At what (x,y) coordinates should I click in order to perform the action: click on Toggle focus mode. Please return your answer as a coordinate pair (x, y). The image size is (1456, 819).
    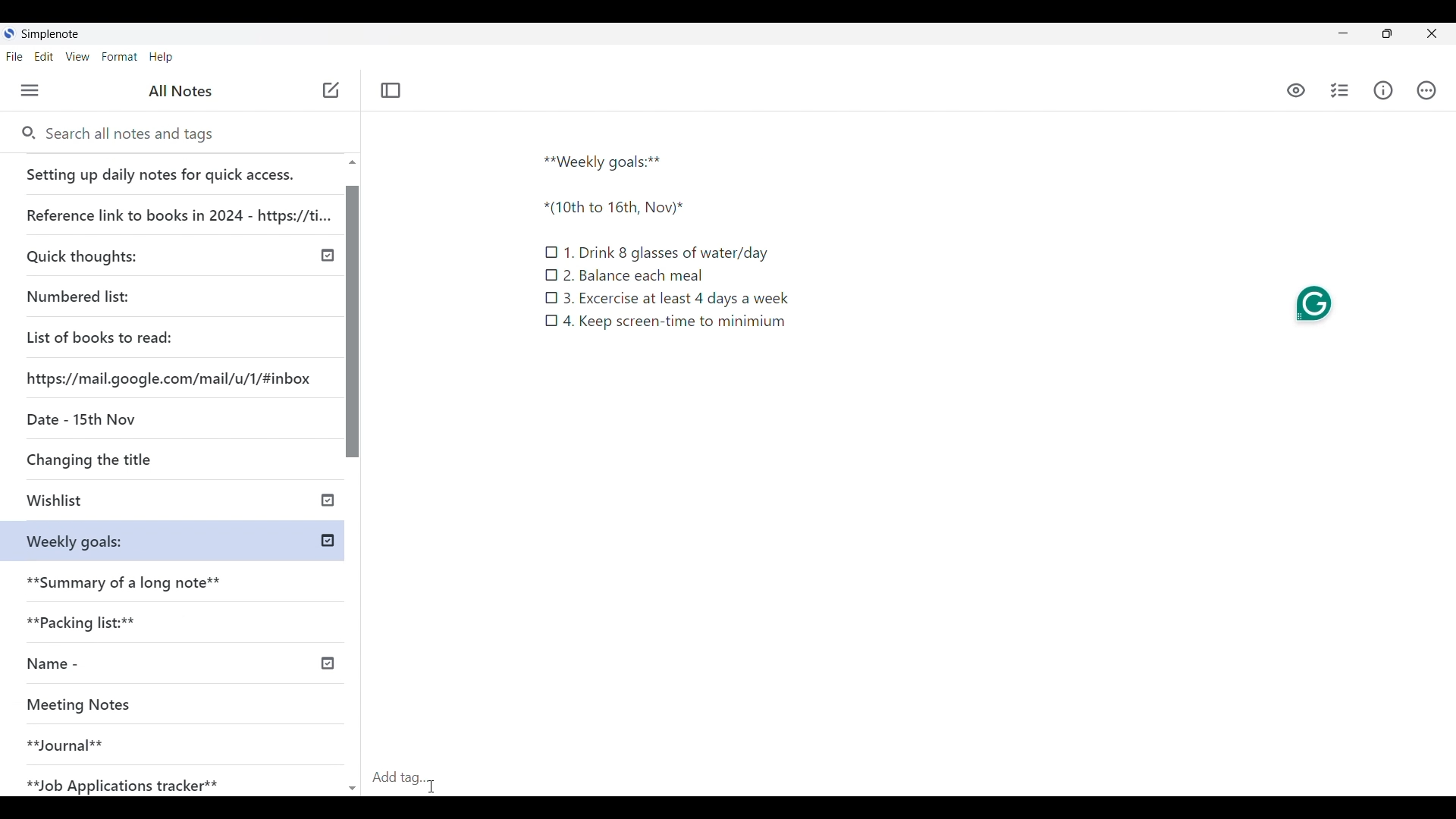
    Looking at the image, I should click on (391, 91).